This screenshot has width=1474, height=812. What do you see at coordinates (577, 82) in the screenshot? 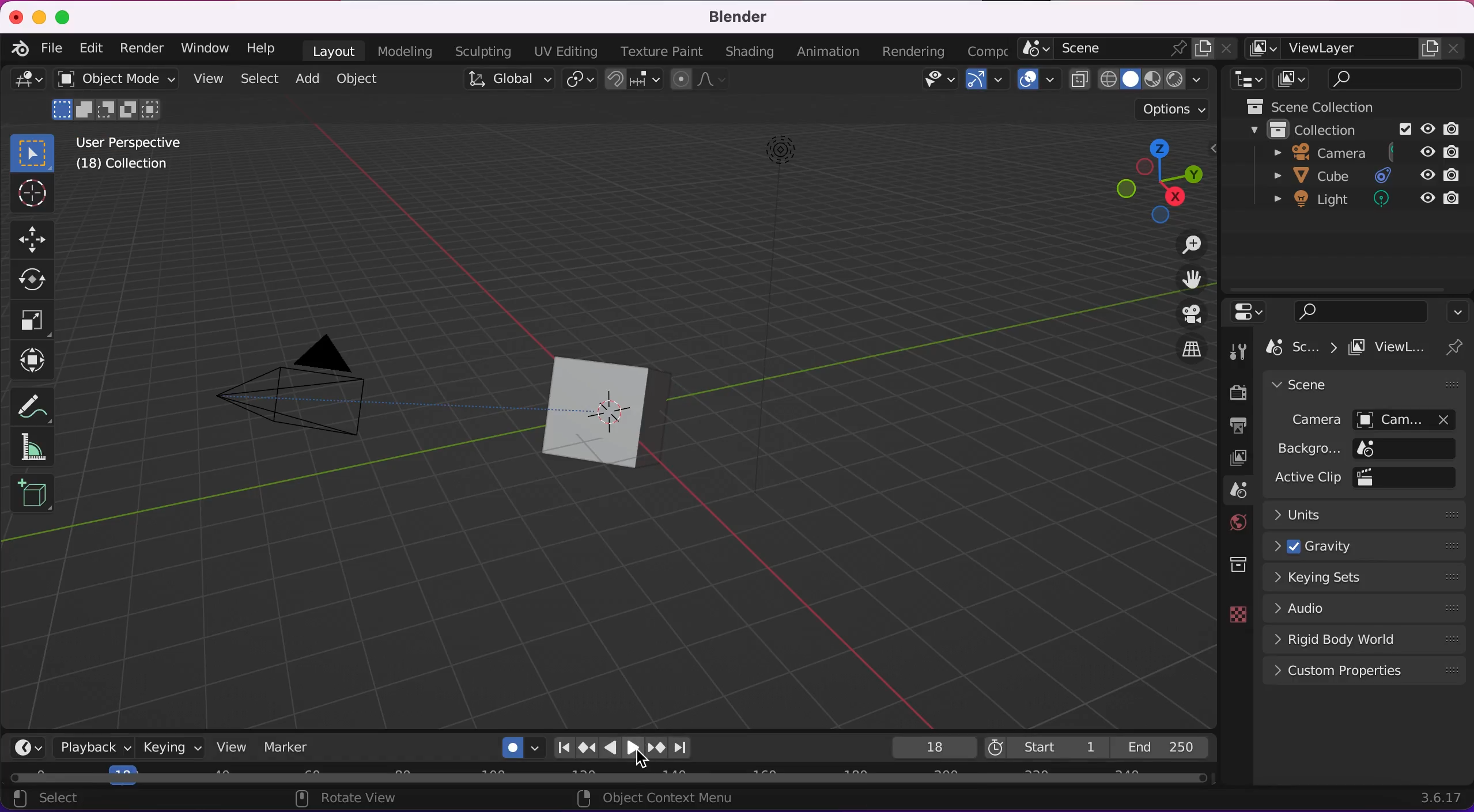
I see `transform pivot point` at bounding box center [577, 82].